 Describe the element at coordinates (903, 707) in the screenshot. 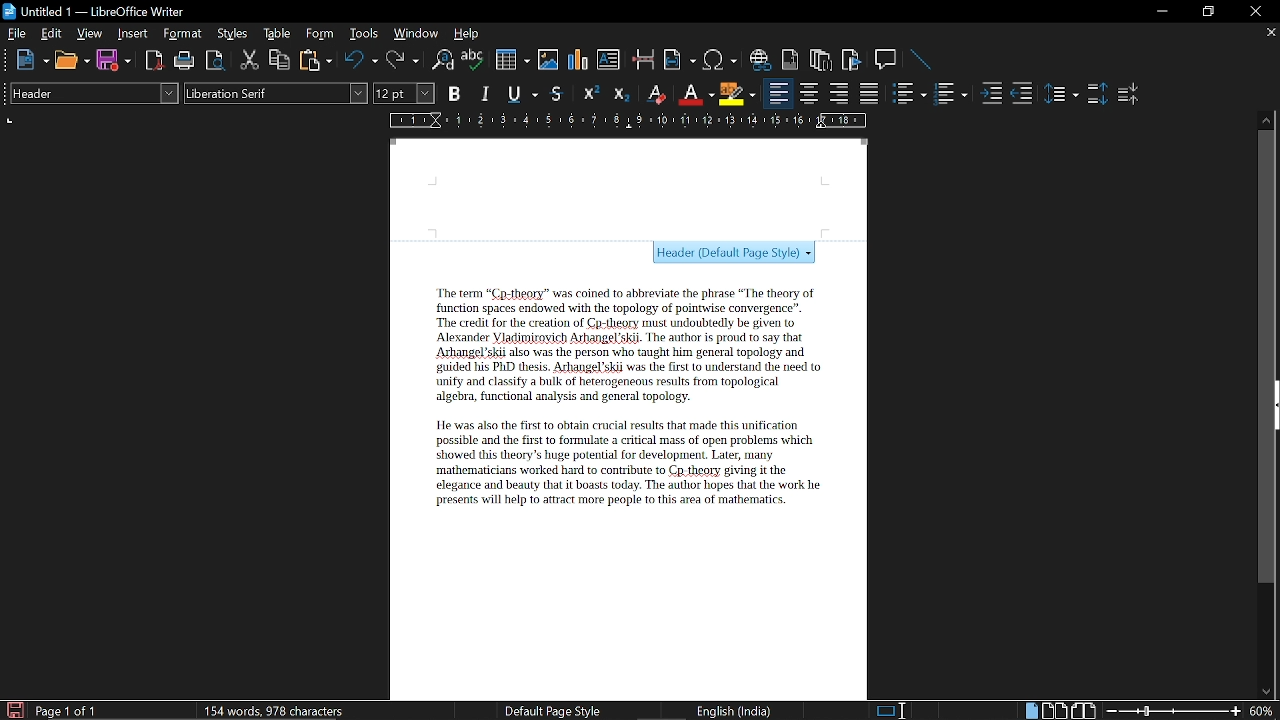

I see `cursor` at that location.